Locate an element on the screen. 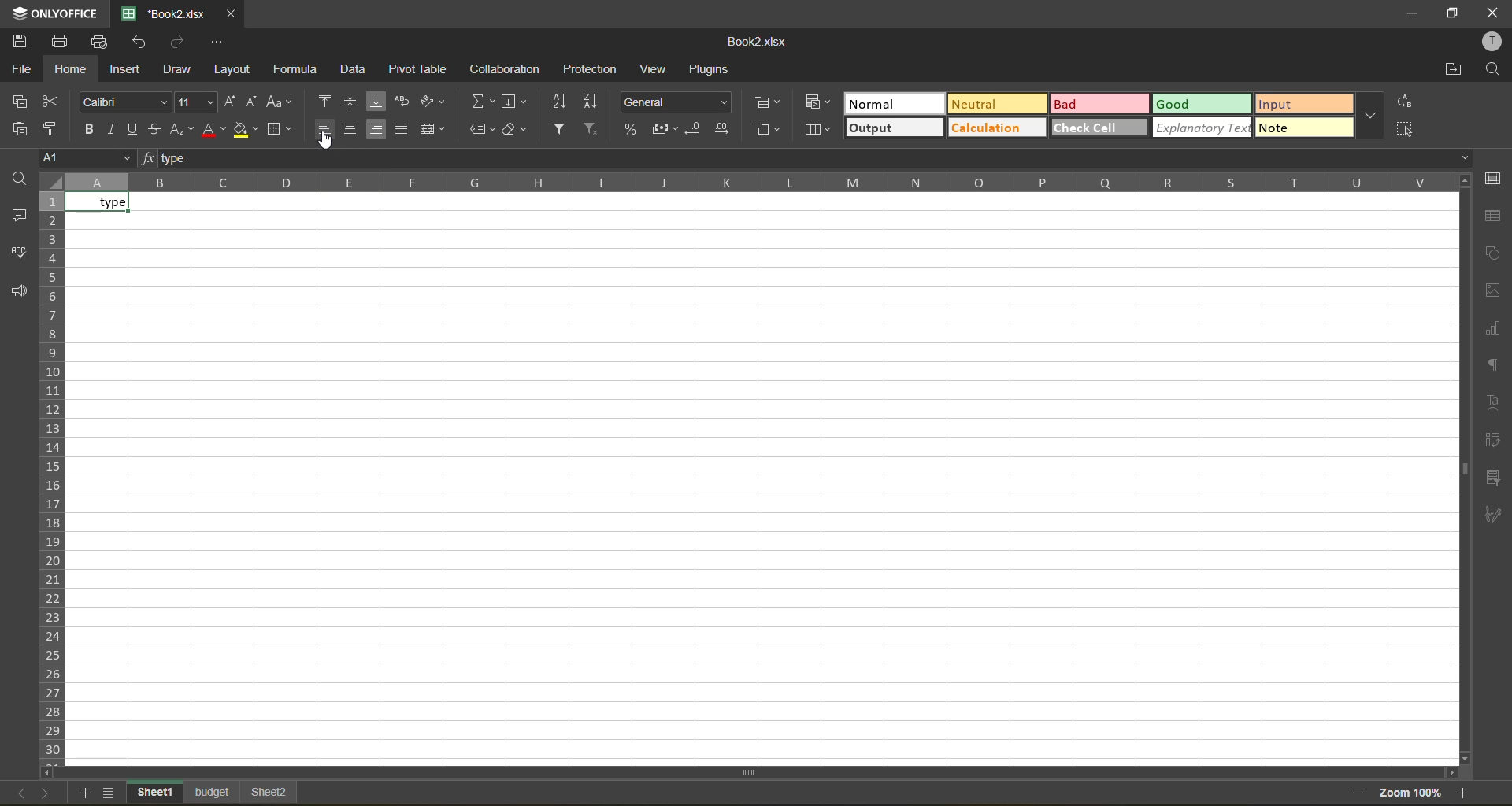 This screenshot has height=806, width=1512. file name is located at coordinates (169, 13).